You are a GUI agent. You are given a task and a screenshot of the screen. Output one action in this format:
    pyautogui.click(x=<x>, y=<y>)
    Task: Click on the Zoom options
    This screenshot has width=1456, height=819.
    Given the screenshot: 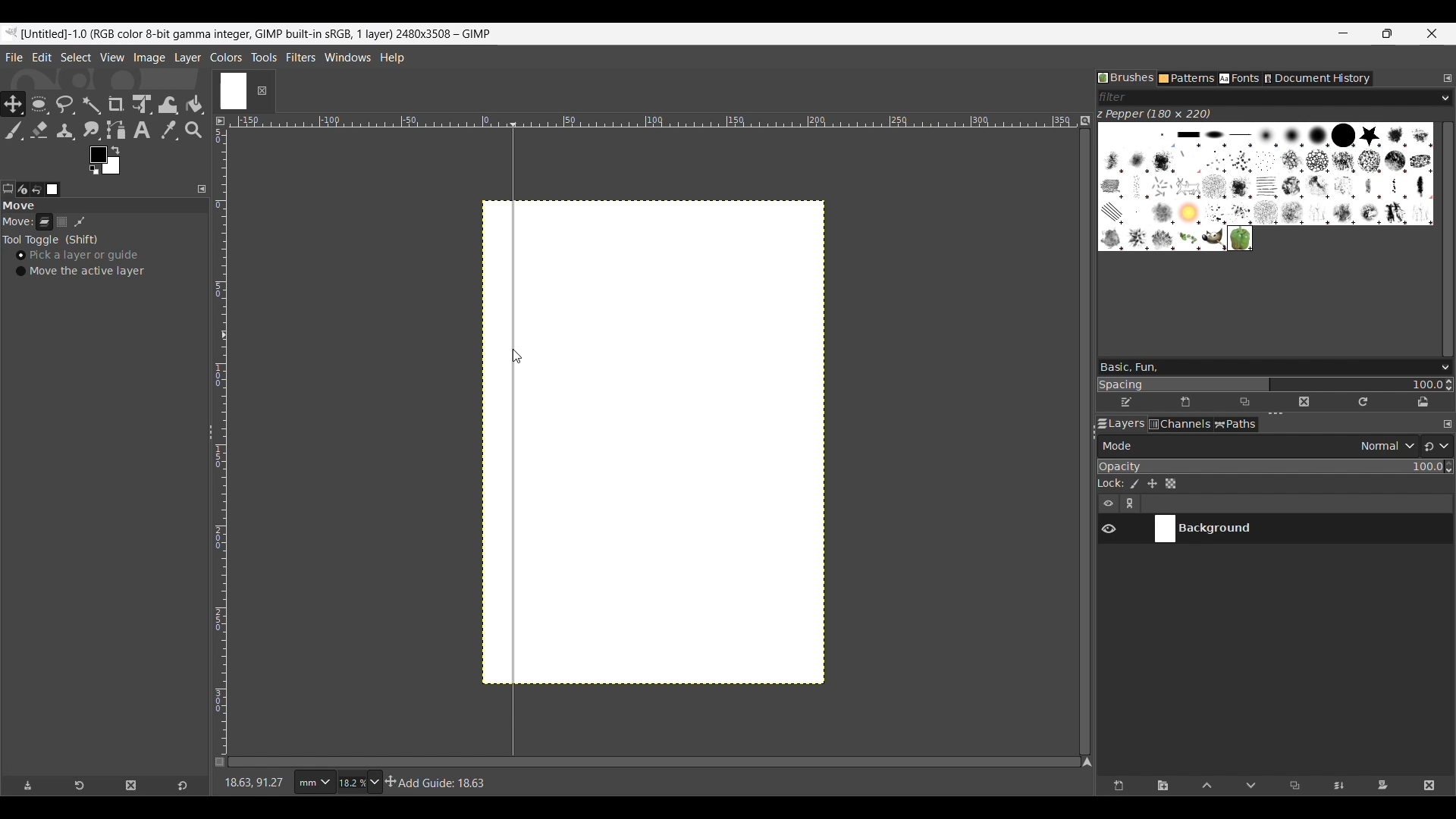 What is the action you would take?
    pyautogui.click(x=376, y=783)
    